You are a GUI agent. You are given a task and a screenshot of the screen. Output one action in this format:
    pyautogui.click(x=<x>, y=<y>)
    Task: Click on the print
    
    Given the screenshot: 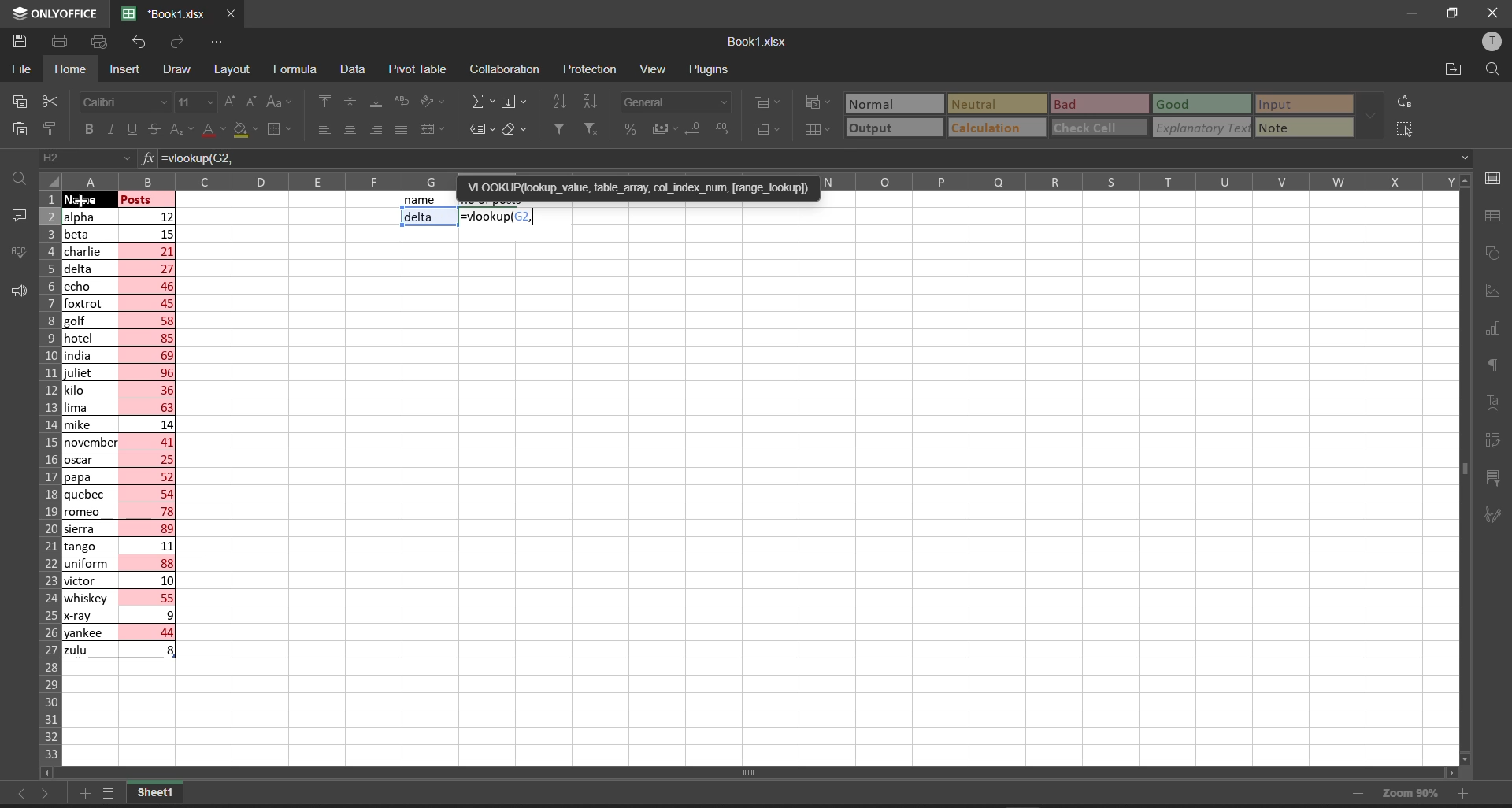 What is the action you would take?
    pyautogui.click(x=61, y=43)
    